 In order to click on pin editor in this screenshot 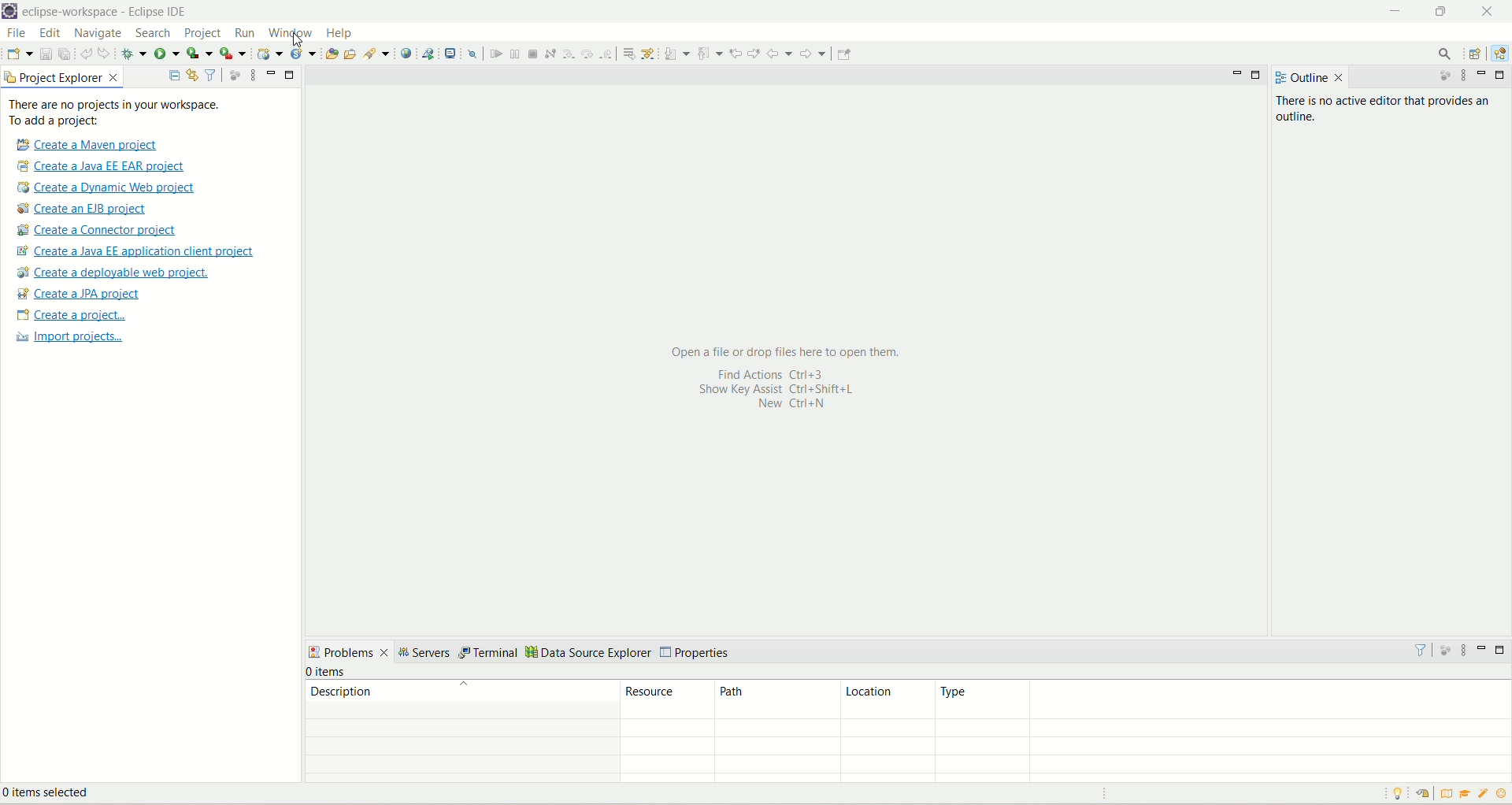, I will do `click(844, 54)`.